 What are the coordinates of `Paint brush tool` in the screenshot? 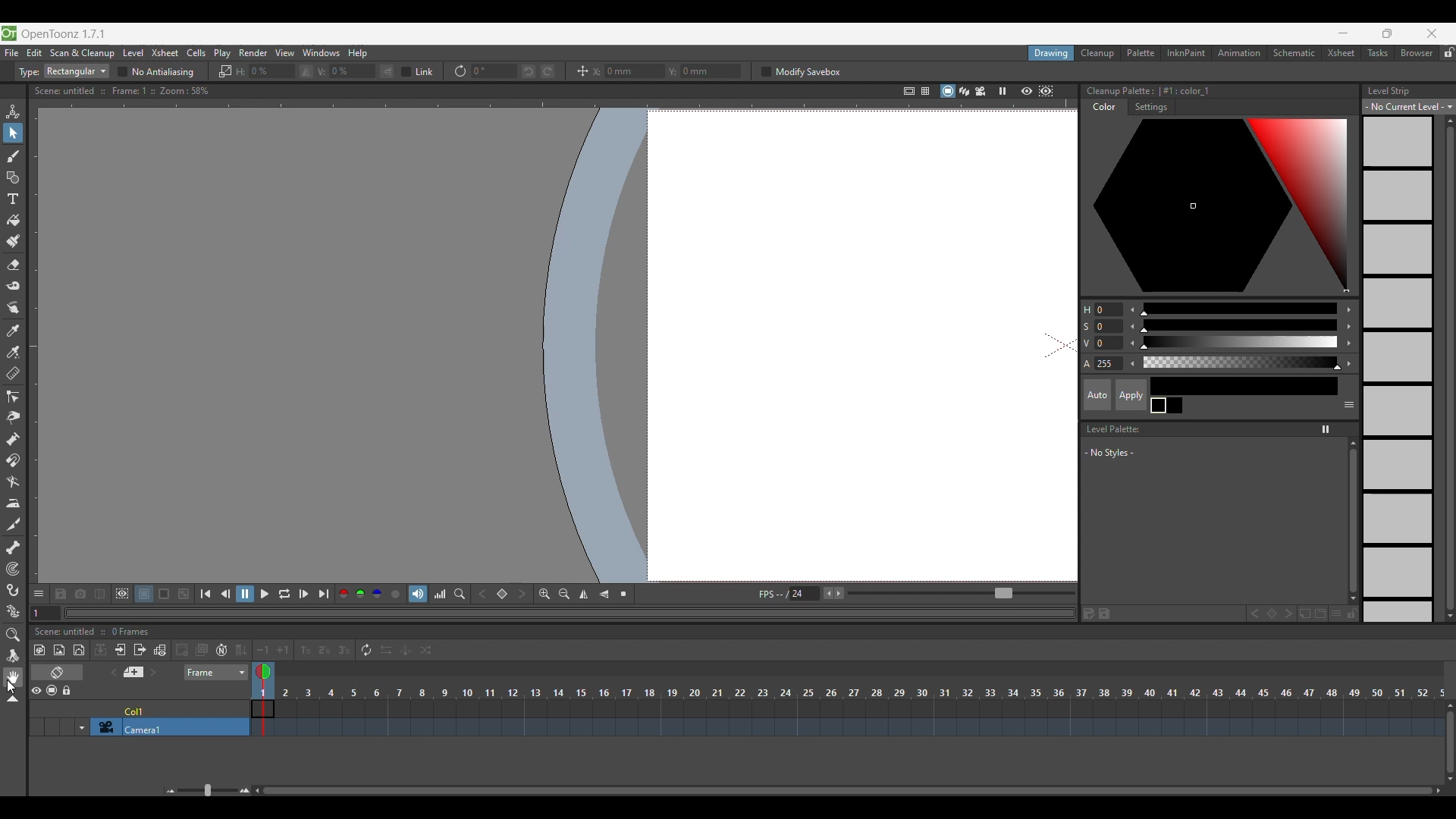 It's located at (13, 241).